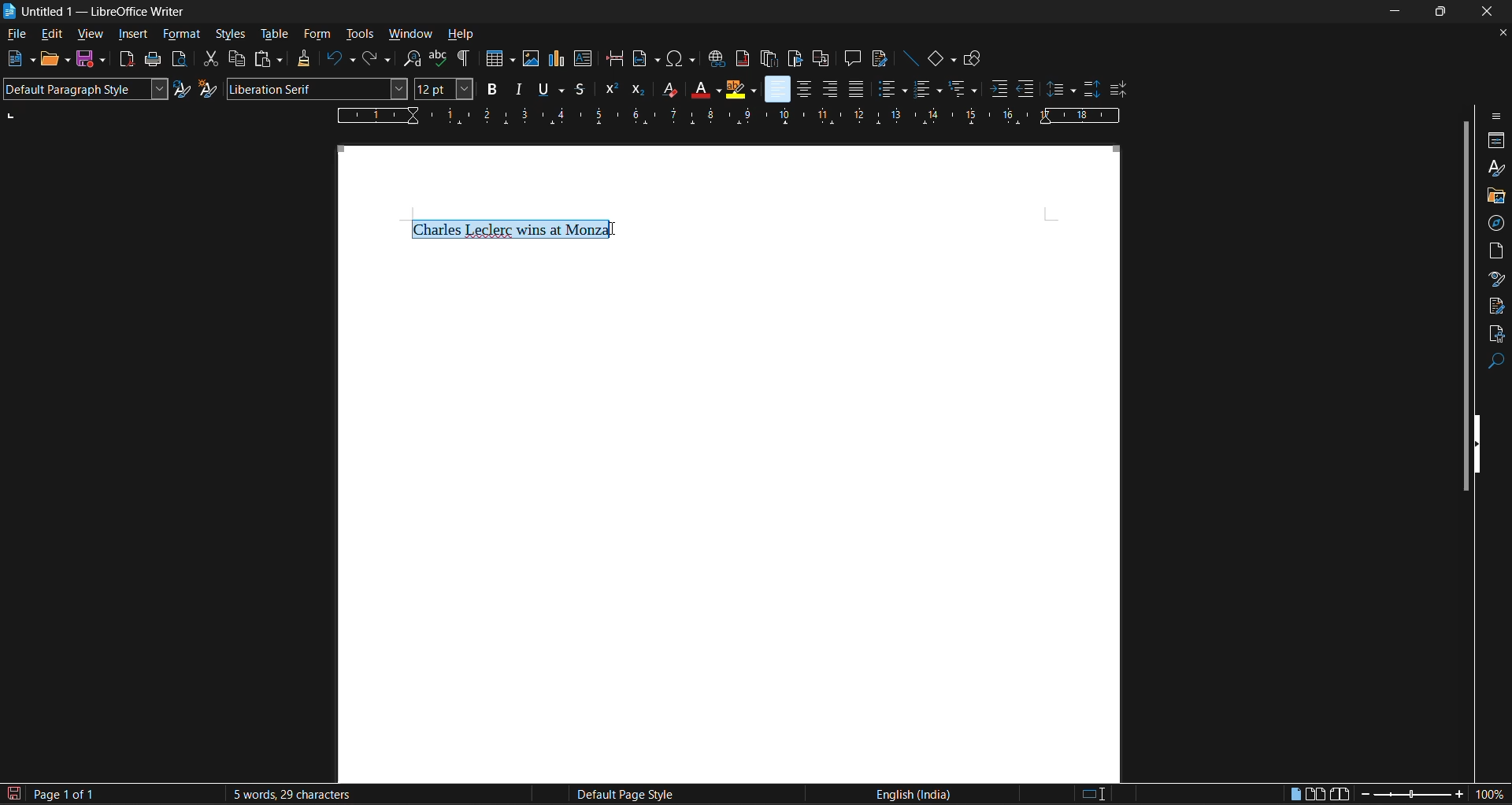 This screenshot has height=805, width=1512. Describe the element at coordinates (1296, 796) in the screenshot. I see `single page view` at that location.